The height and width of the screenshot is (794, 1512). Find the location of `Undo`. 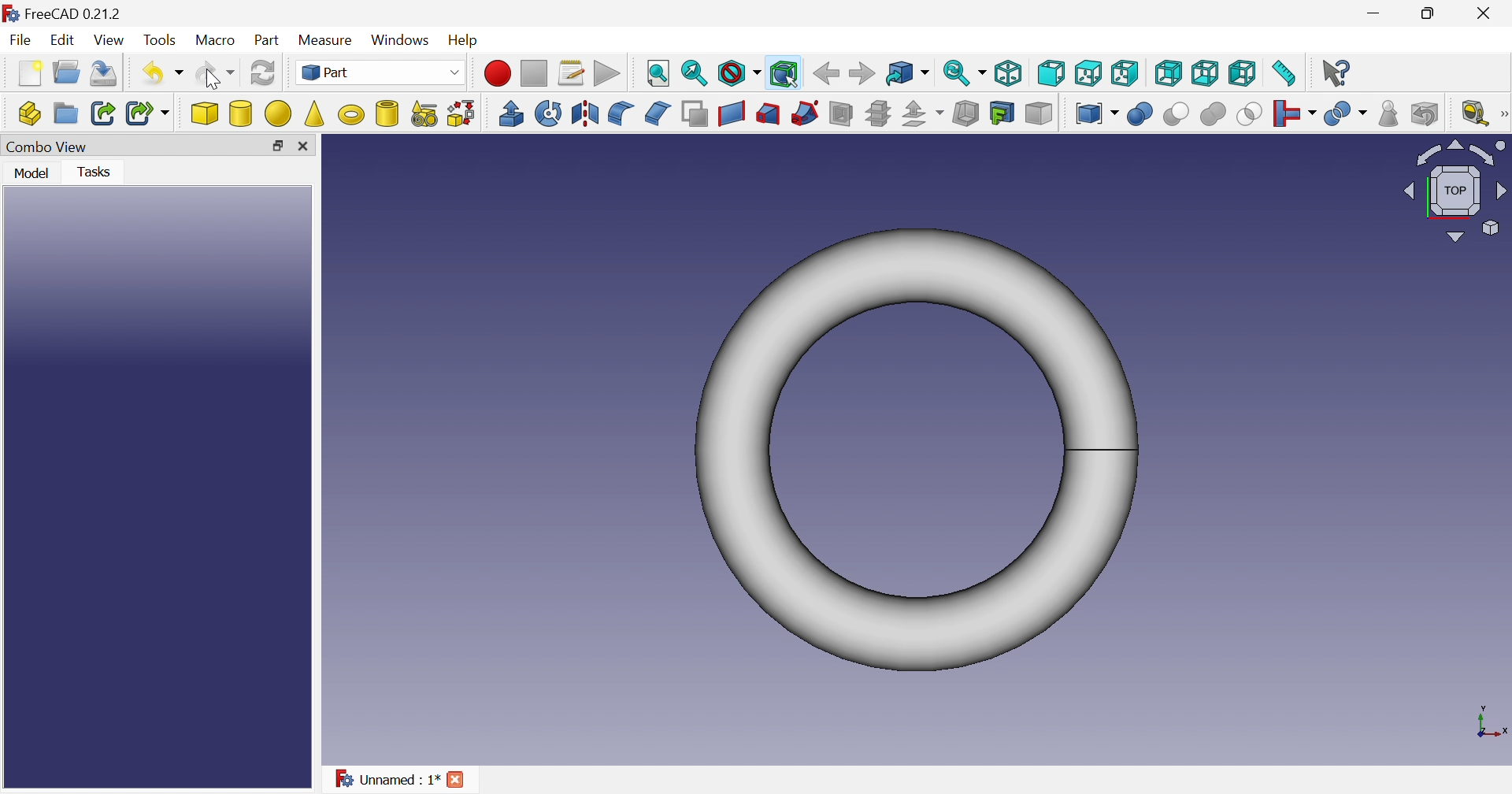

Undo is located at coordinates (161, 73).